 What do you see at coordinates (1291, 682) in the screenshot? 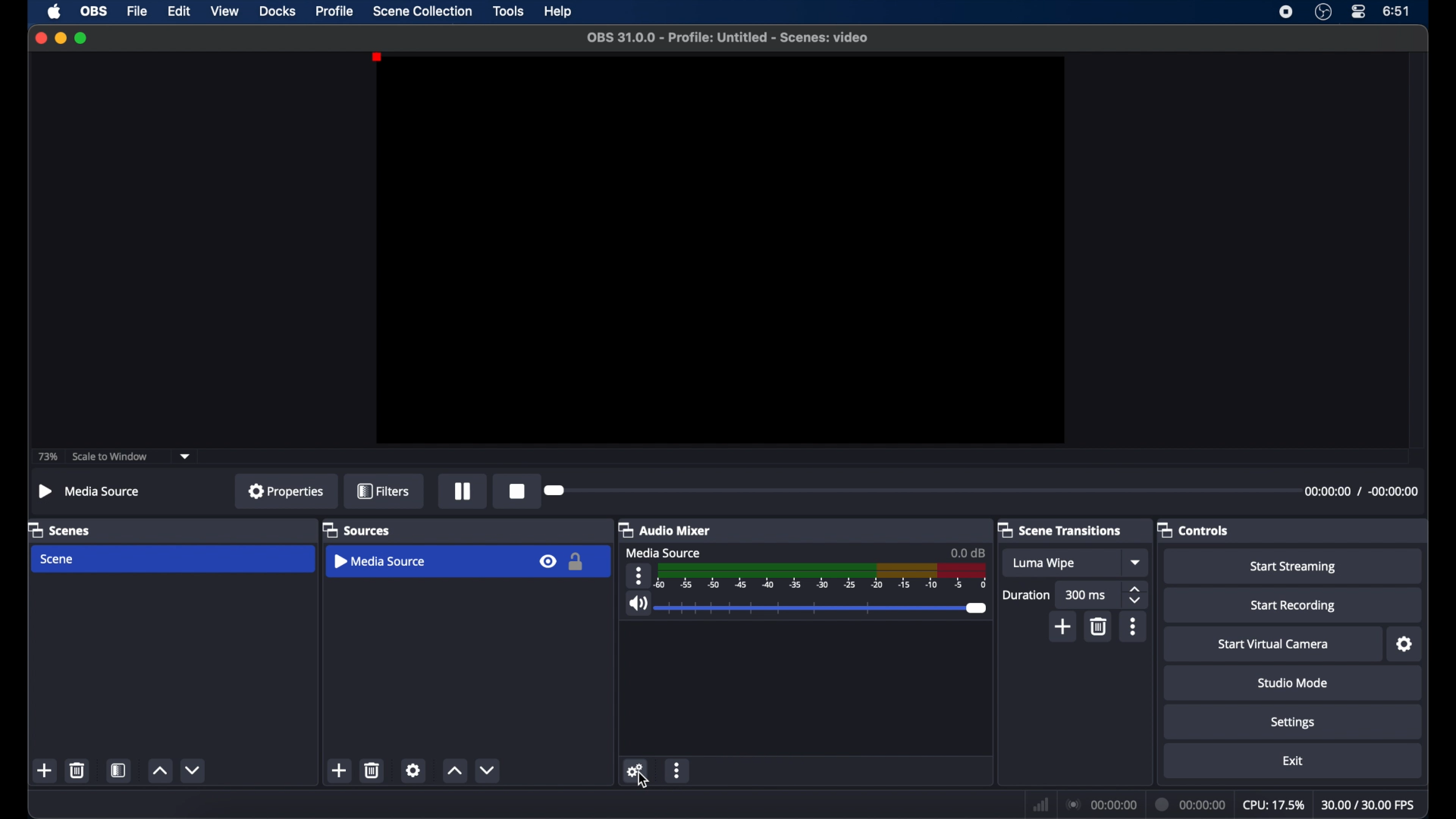
I see `studio mode` at bounding box center [1291, 682].